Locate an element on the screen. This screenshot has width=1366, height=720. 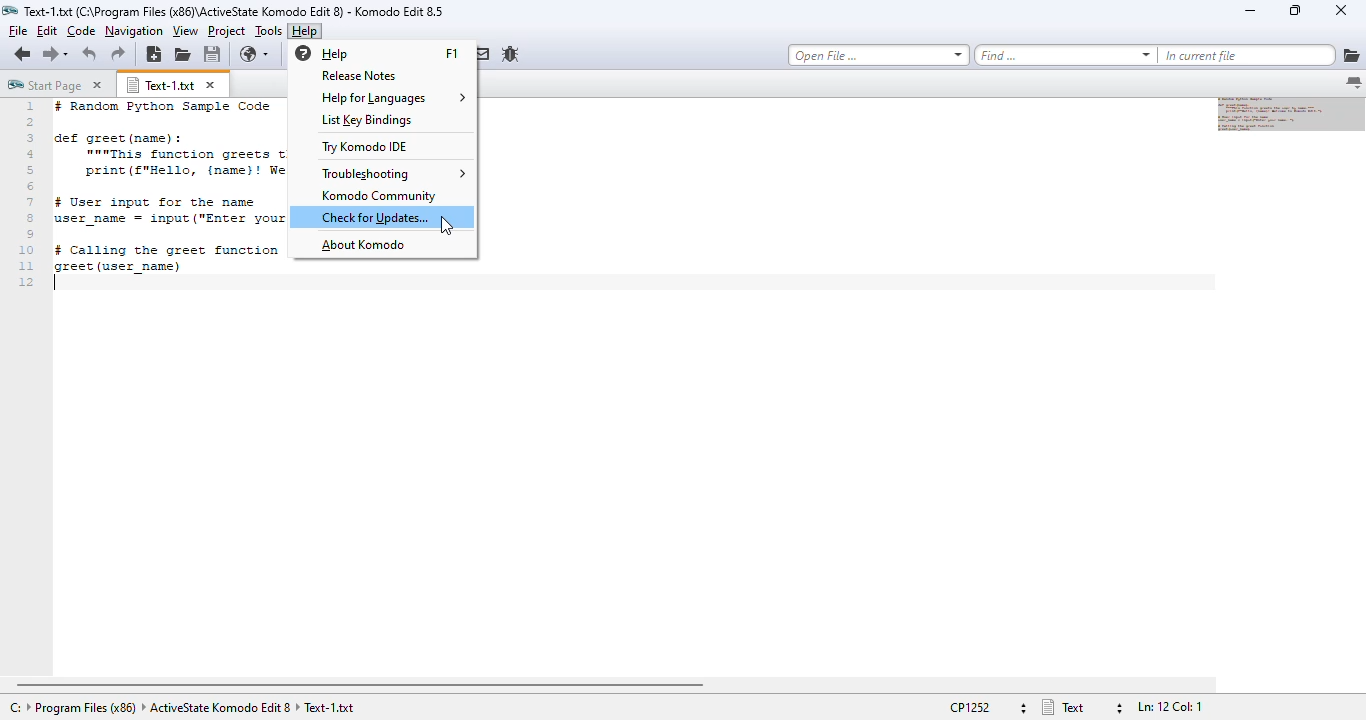
in current file is located at coordinates (1246, 56).